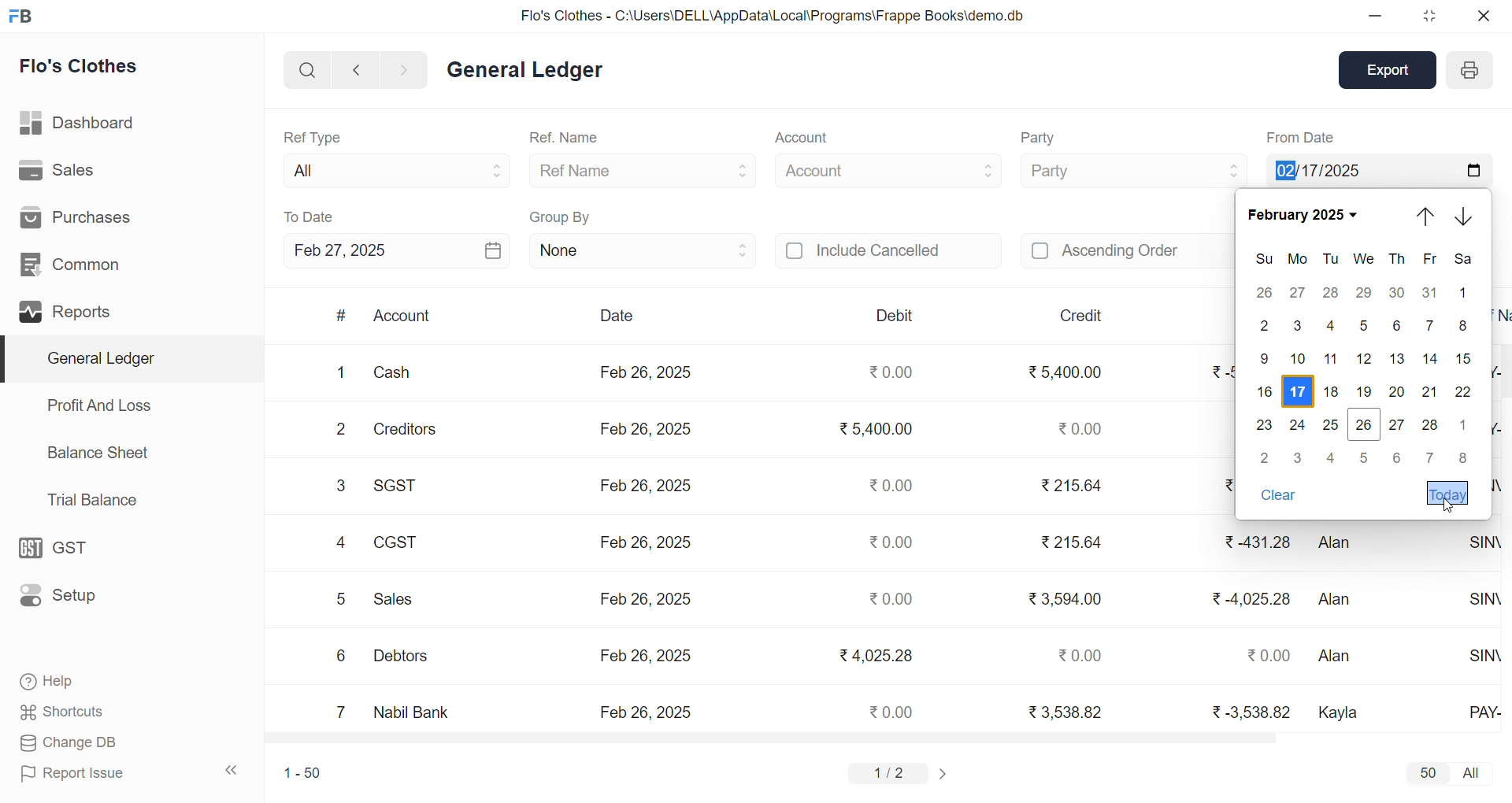  What do you see at coordinates (410, 68) in the screenshot?
I see `NAVIGATE FORWARD` at bounding box center [410, 68].